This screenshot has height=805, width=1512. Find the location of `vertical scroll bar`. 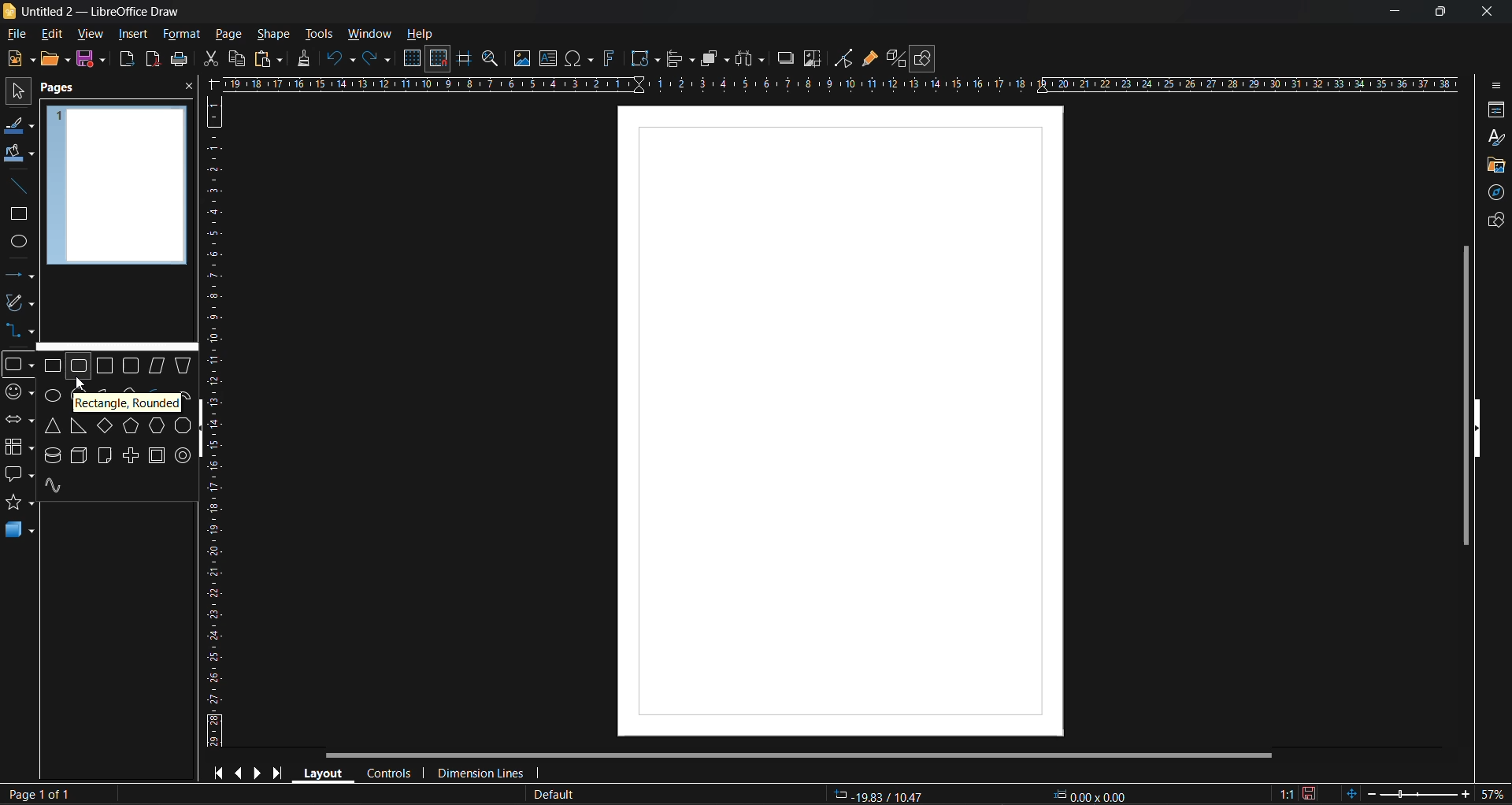

vertical scroll bar is located at coordinates (1462, 395).